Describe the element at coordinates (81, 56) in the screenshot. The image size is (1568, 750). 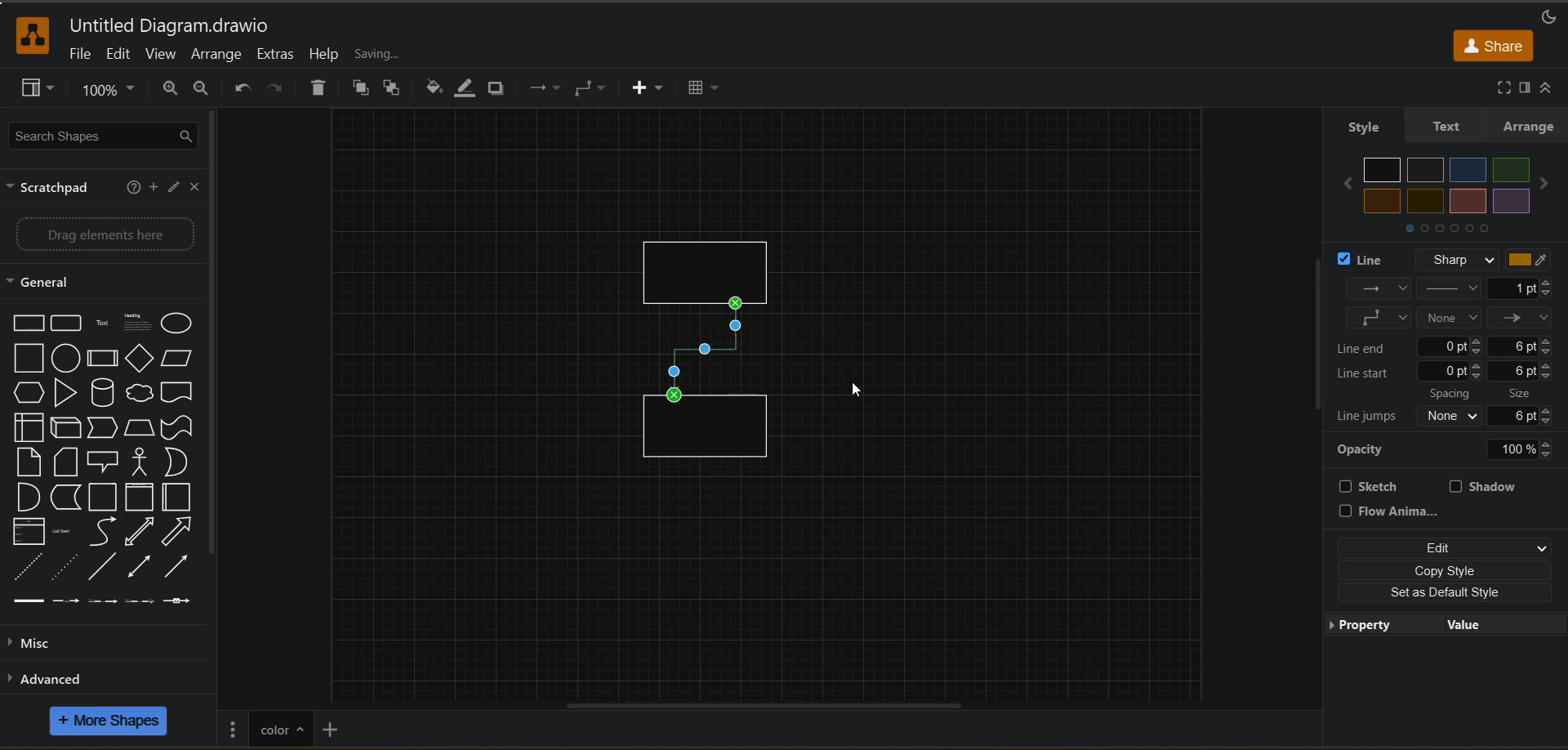
I see `file` at that location.